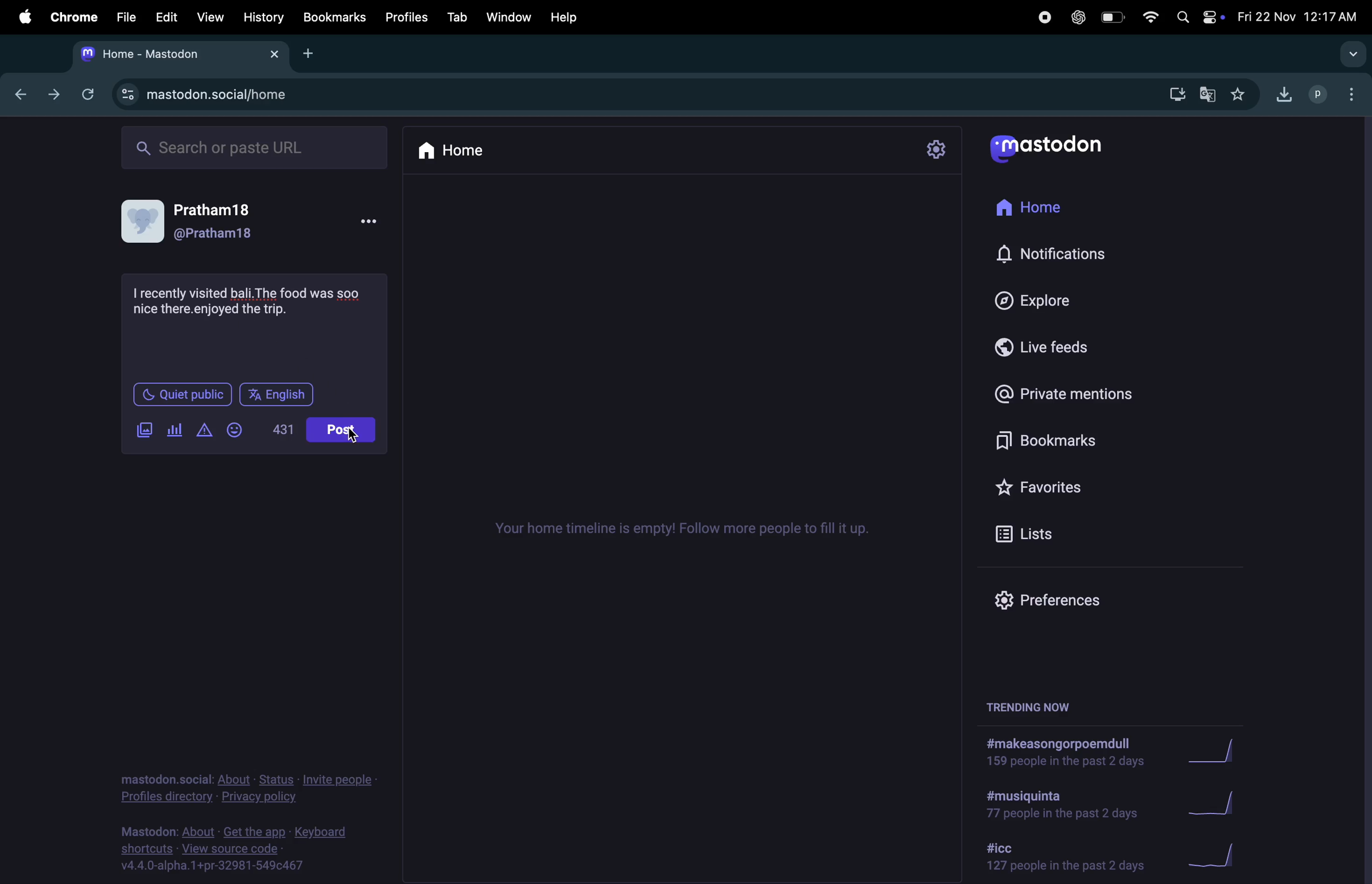 This screenshot has width=1372, height=884. I want to click on hashtags, so click(1054, 751).